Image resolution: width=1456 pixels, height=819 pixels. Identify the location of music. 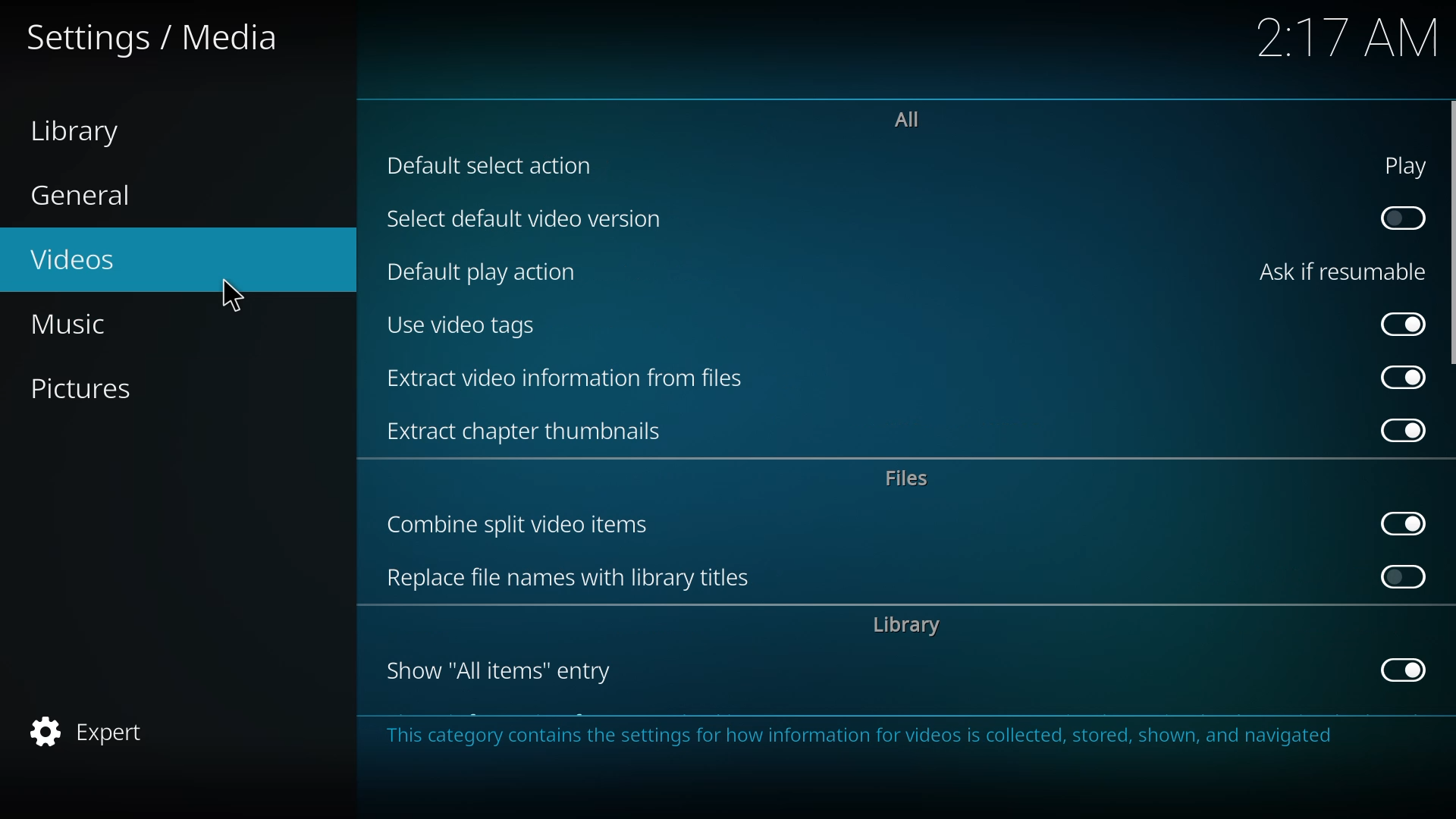
(80, 325).